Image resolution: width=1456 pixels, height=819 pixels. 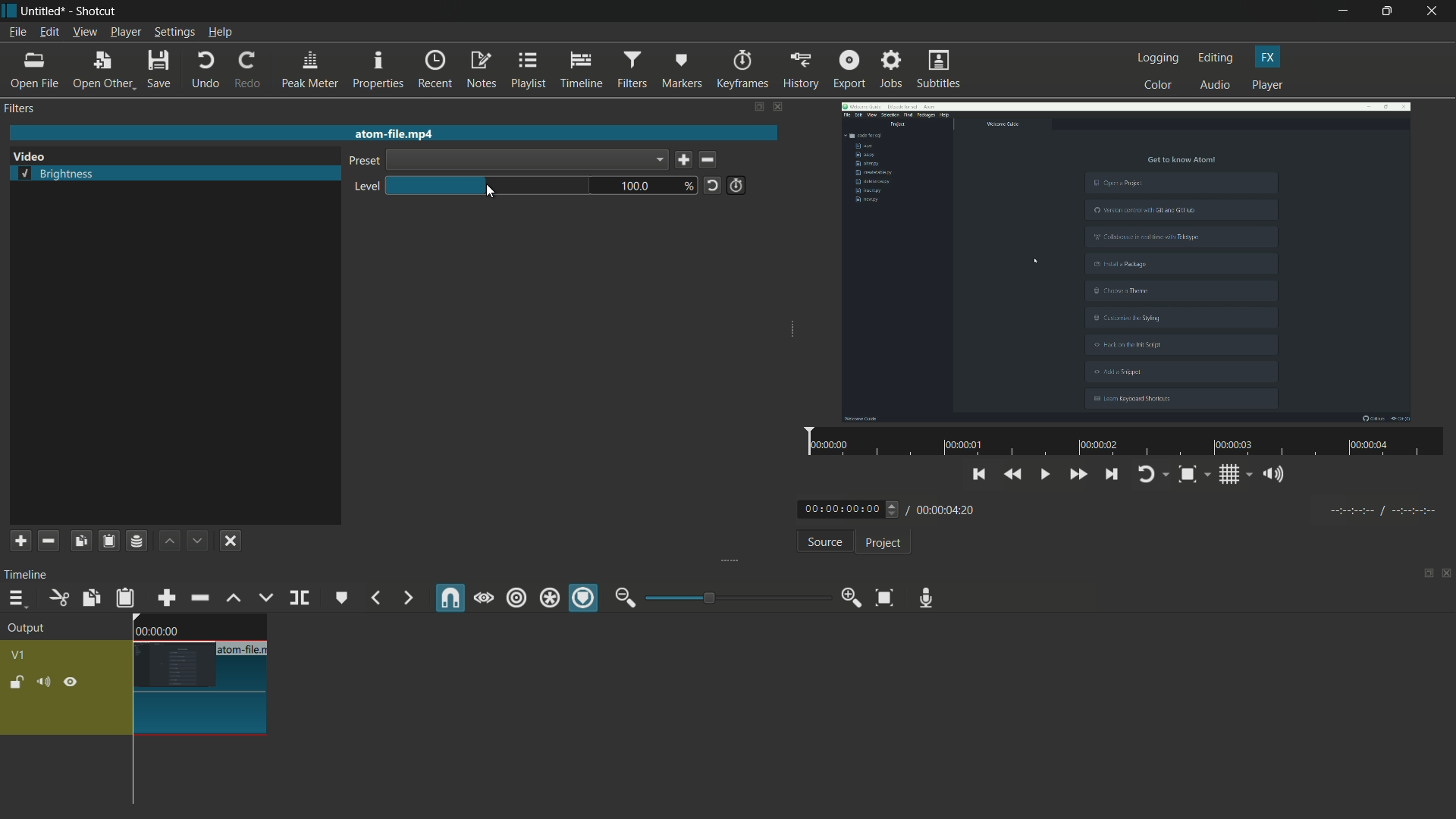 I want to click on edit menu, so click(x=47, y=33).